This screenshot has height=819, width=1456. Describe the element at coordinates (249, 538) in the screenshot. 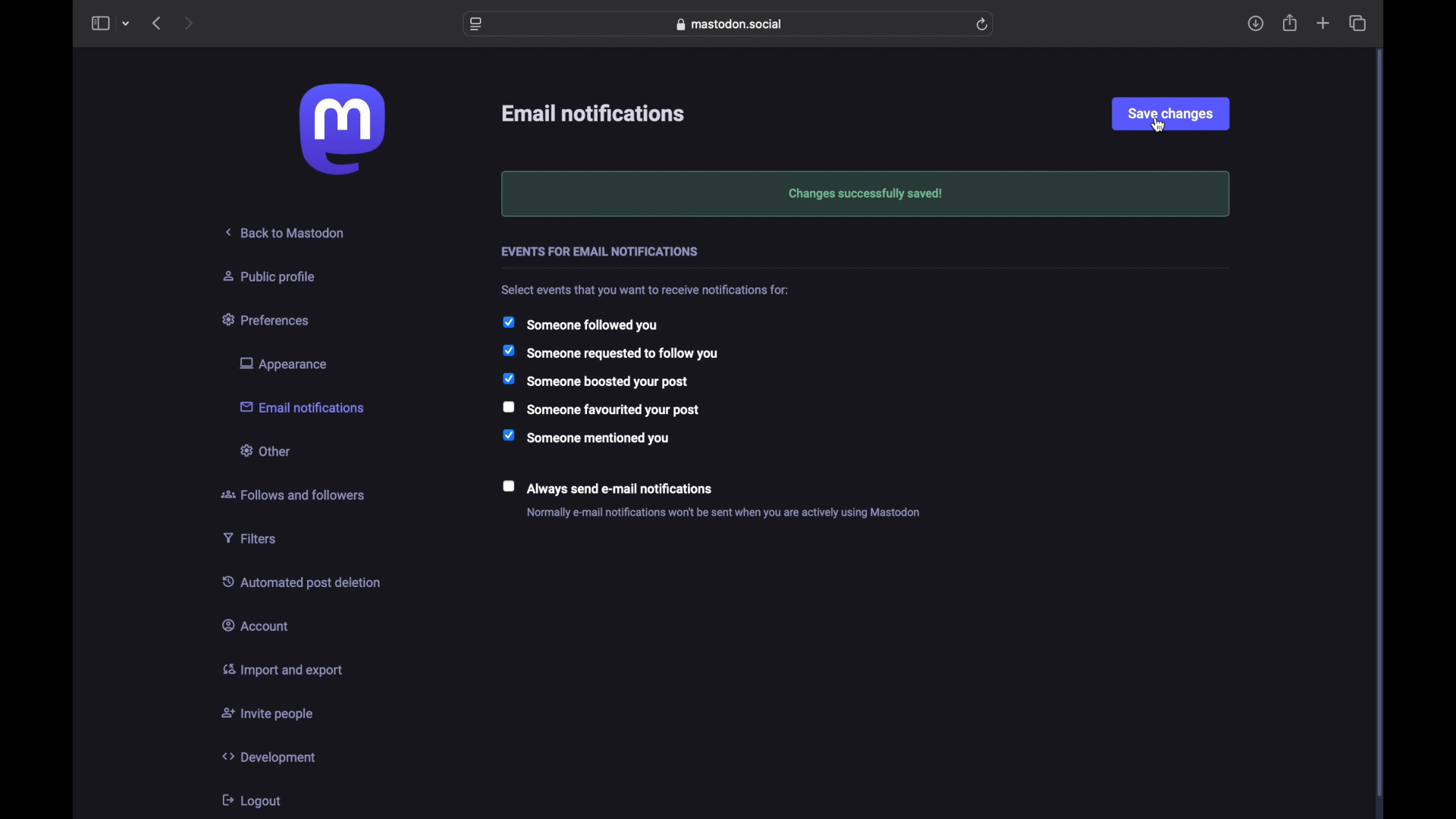

I see `filters` at that location.